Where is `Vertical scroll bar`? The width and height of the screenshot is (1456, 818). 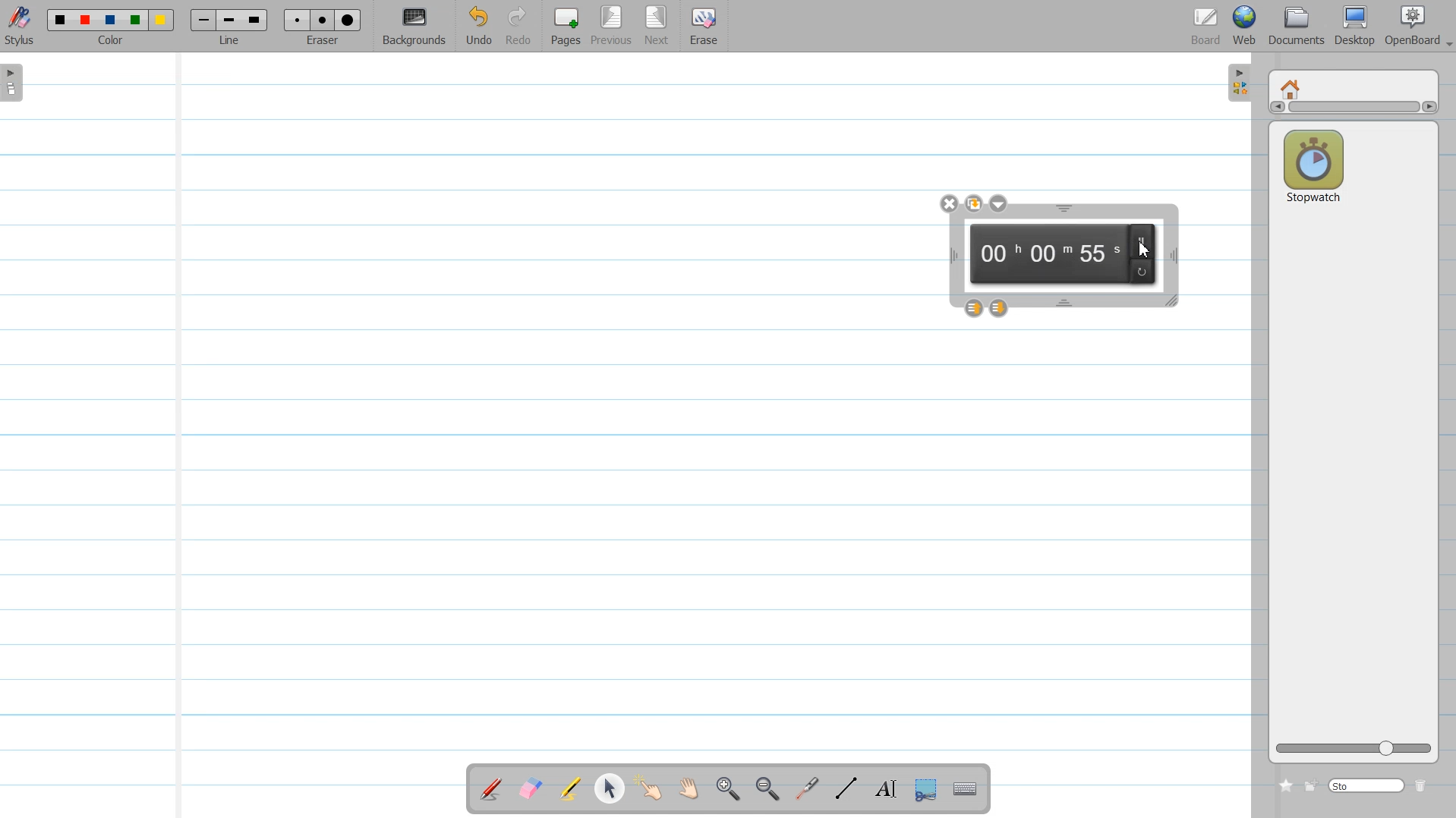
Vertical scroll bar is located at coordinates (1353, 109).